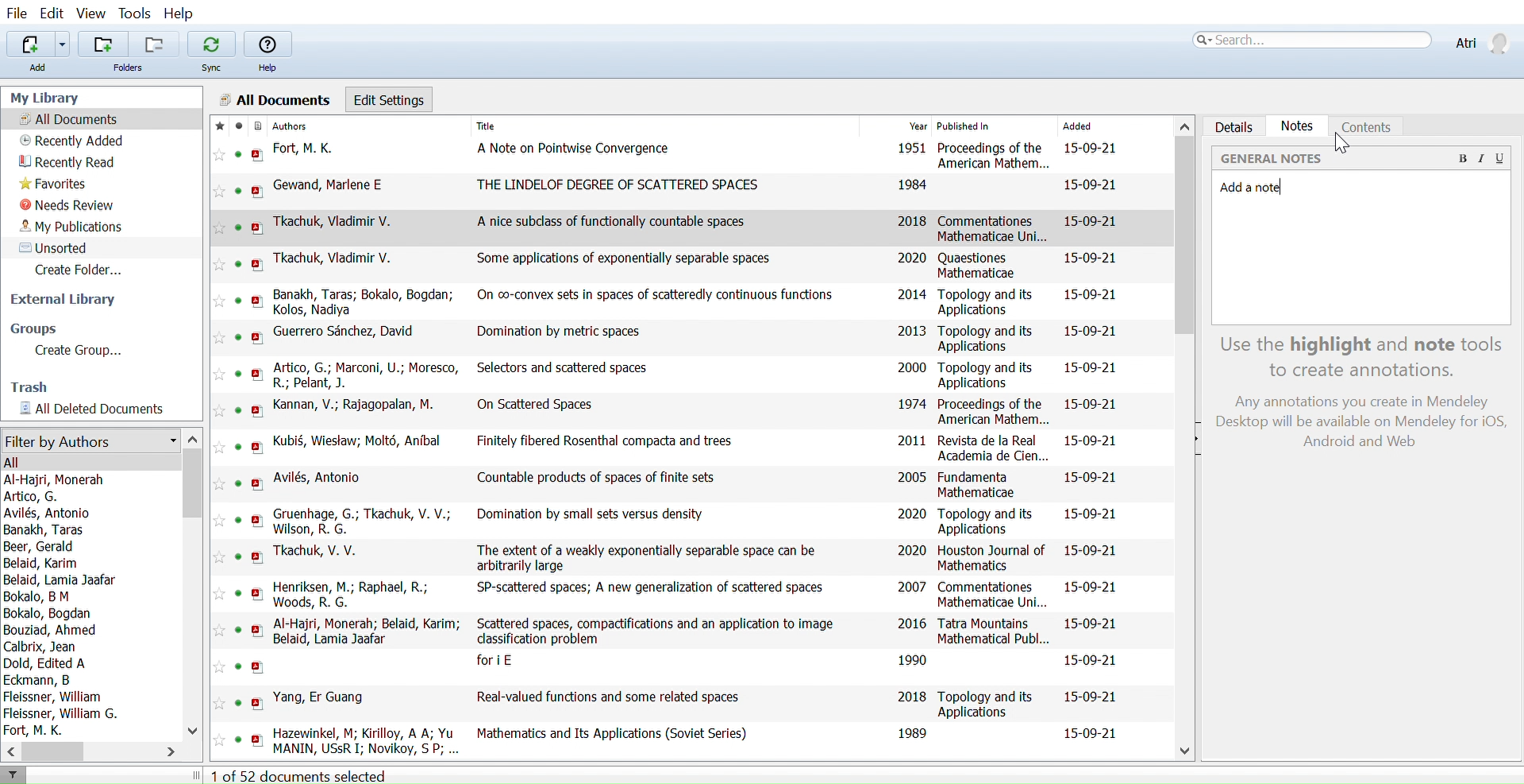 Image resolution: width=1524 pixels, height=784 pixels. I want to click on Mathematics and Its Applications (Soviet Series), so click(617, 735).